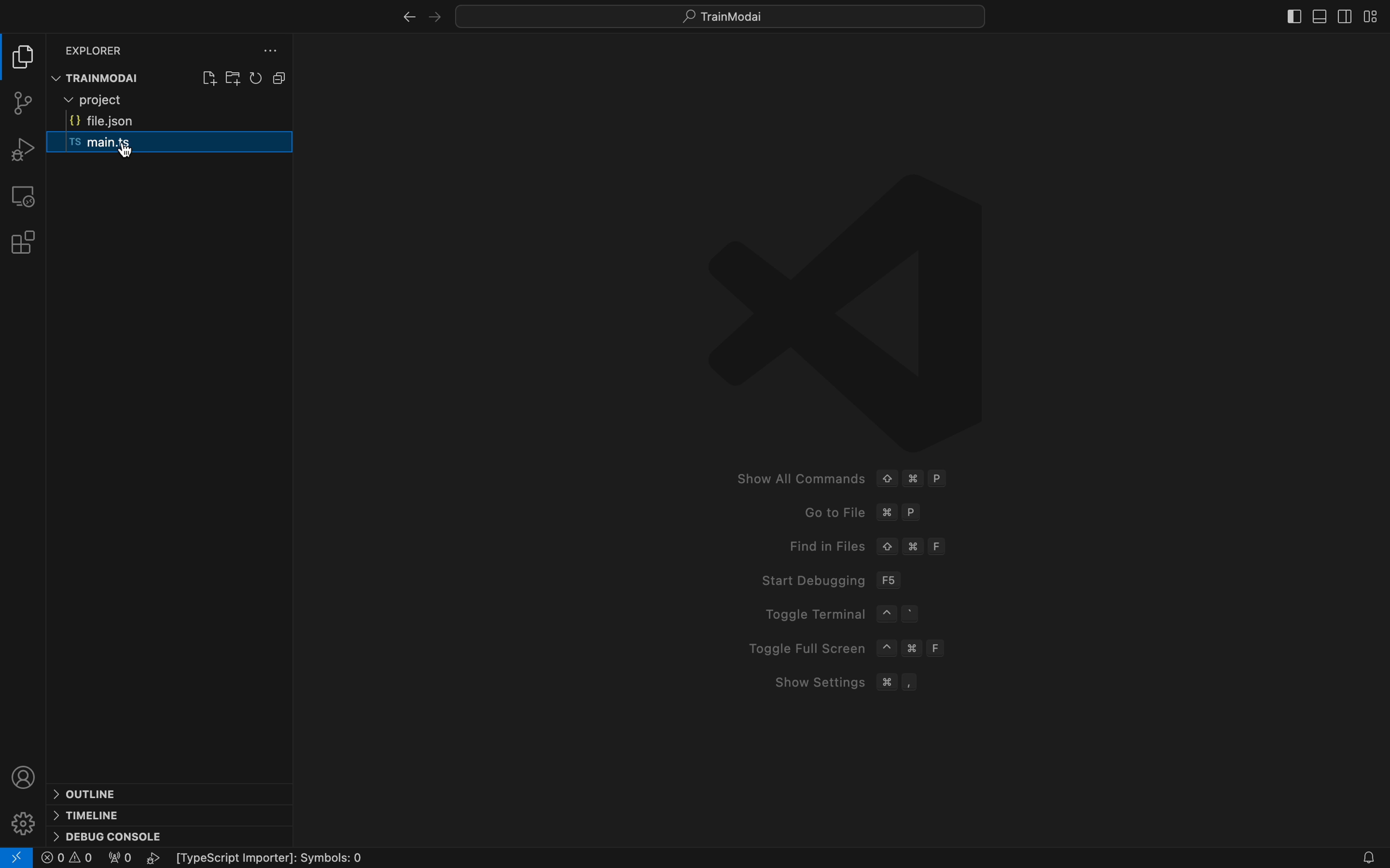 The width and height of the screenshot is (1390, 868). What do you see at coordinates (87, 49) in the screenshot?
I see `explorer` at bounding box center [87, 49].